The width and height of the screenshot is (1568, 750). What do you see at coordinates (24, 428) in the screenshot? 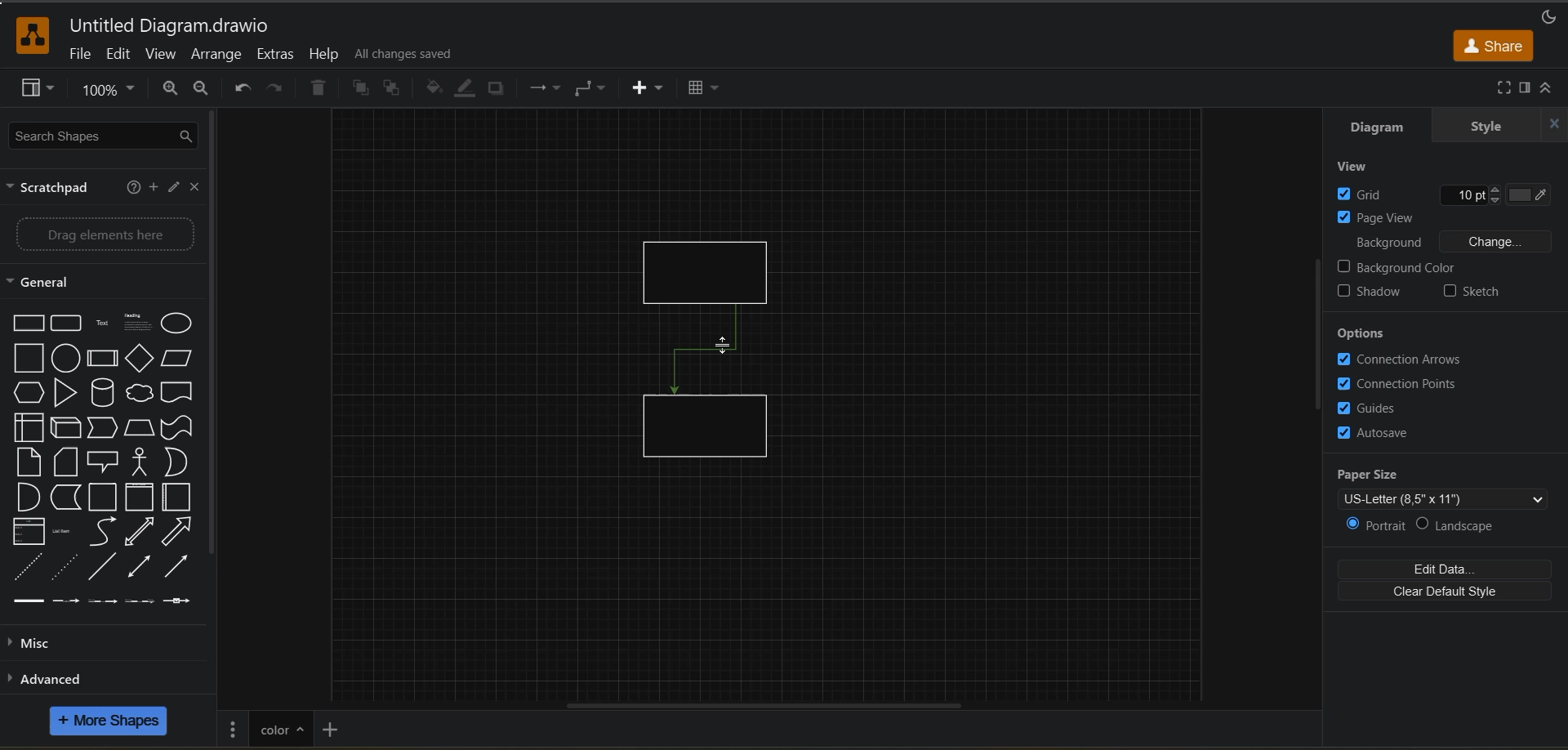
I see `Internal storge` at bounding box center [24, 428].